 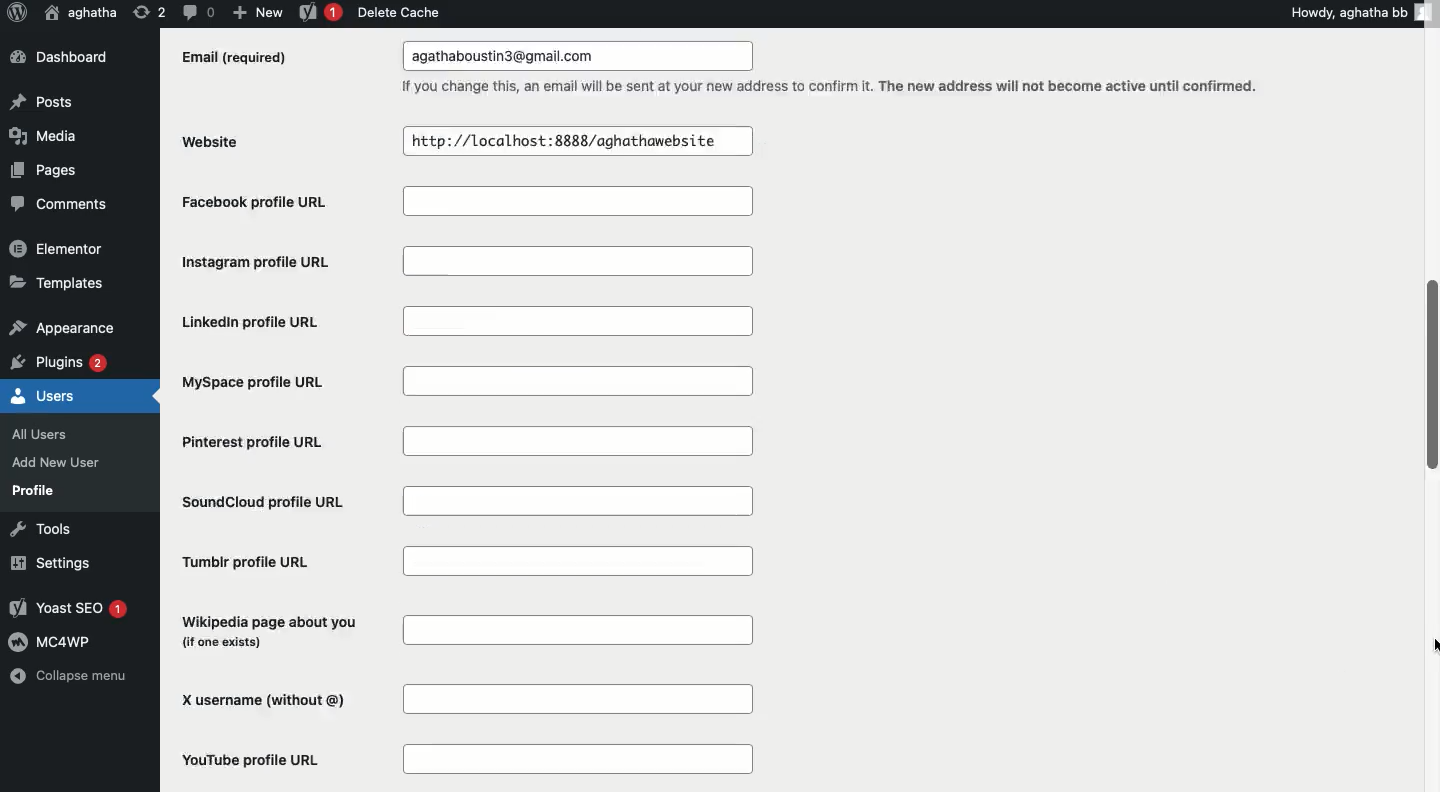 What do you see at coordinates (72, 609) in the screenshot?
I see `Yoast SEO 1` at bounding box center [72, 609].